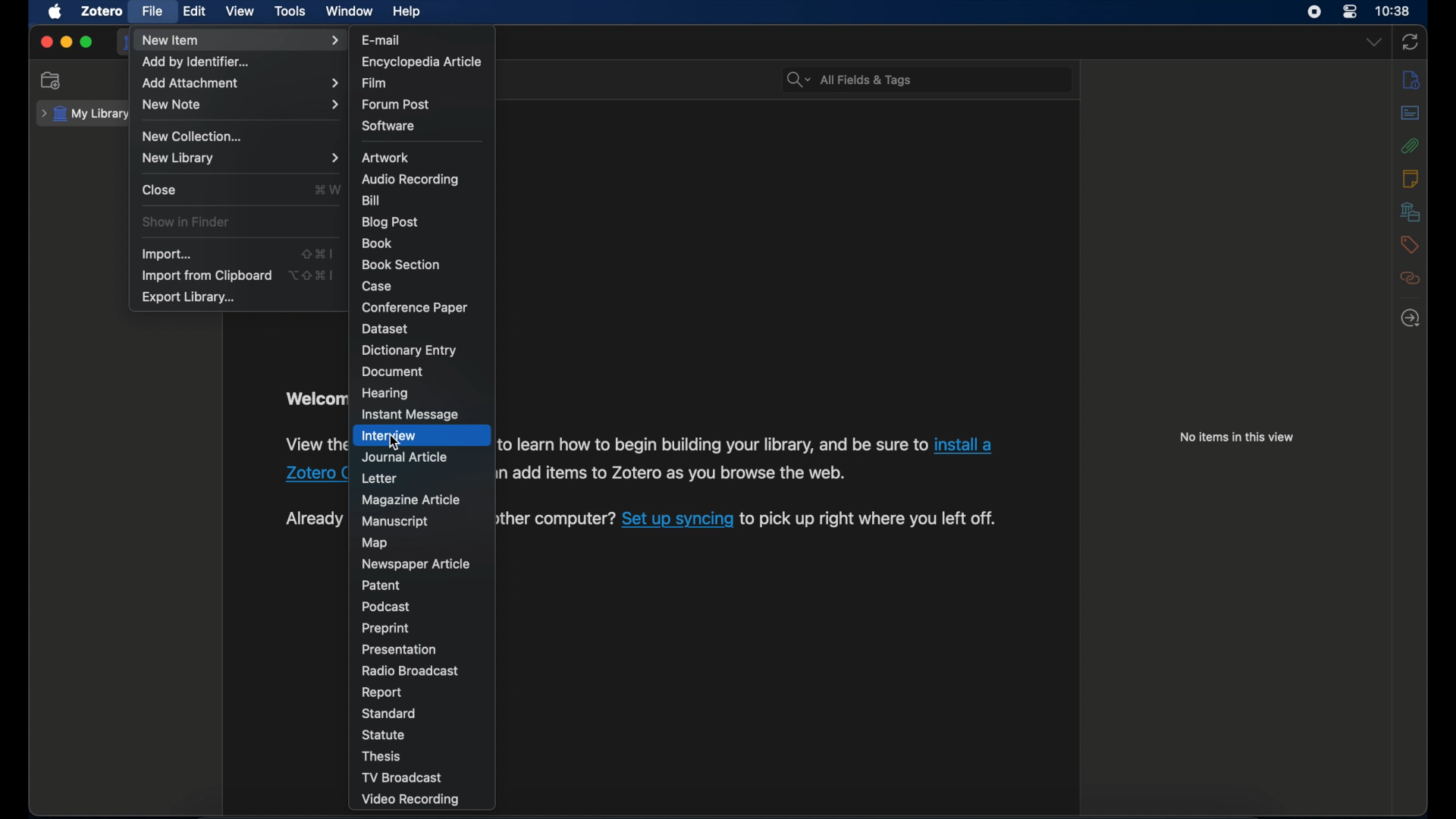 This screenshot has width=1456, height=819. I want to click on window, so click(350, 11).